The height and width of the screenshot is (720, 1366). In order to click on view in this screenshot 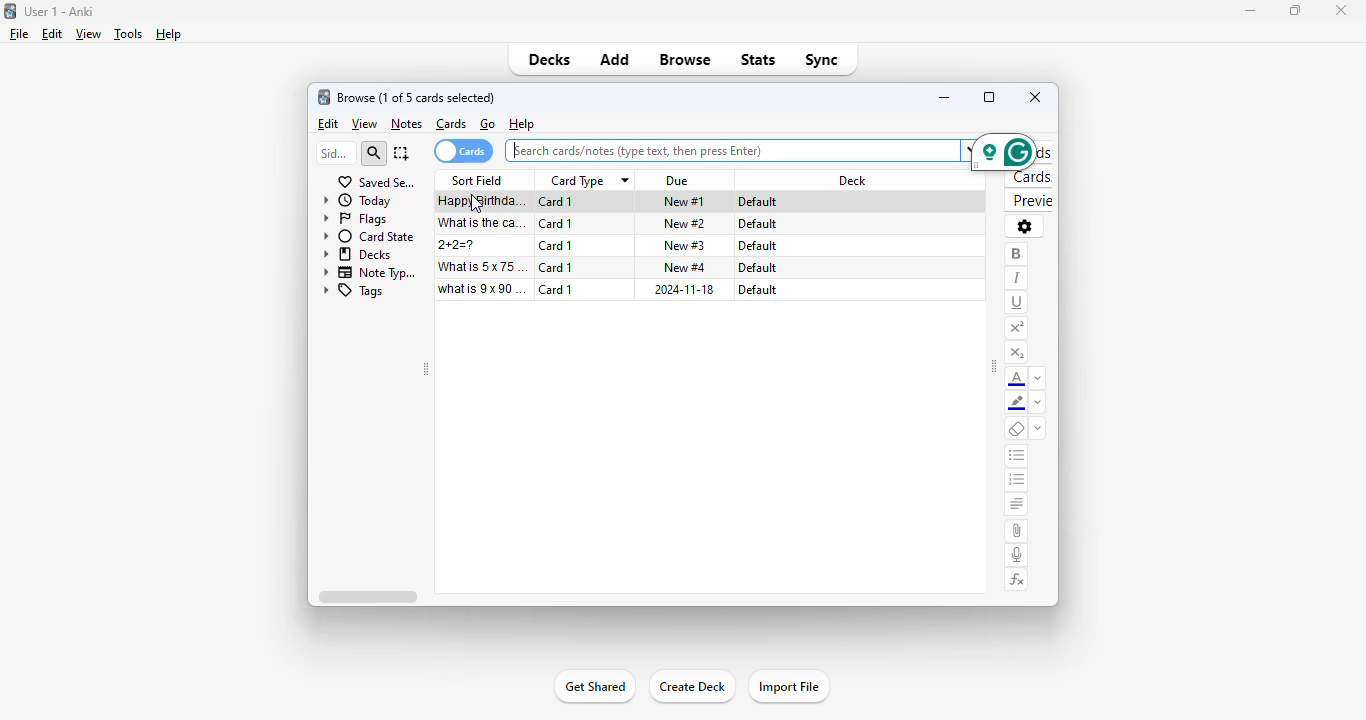, I will do `click(365, 124)`.